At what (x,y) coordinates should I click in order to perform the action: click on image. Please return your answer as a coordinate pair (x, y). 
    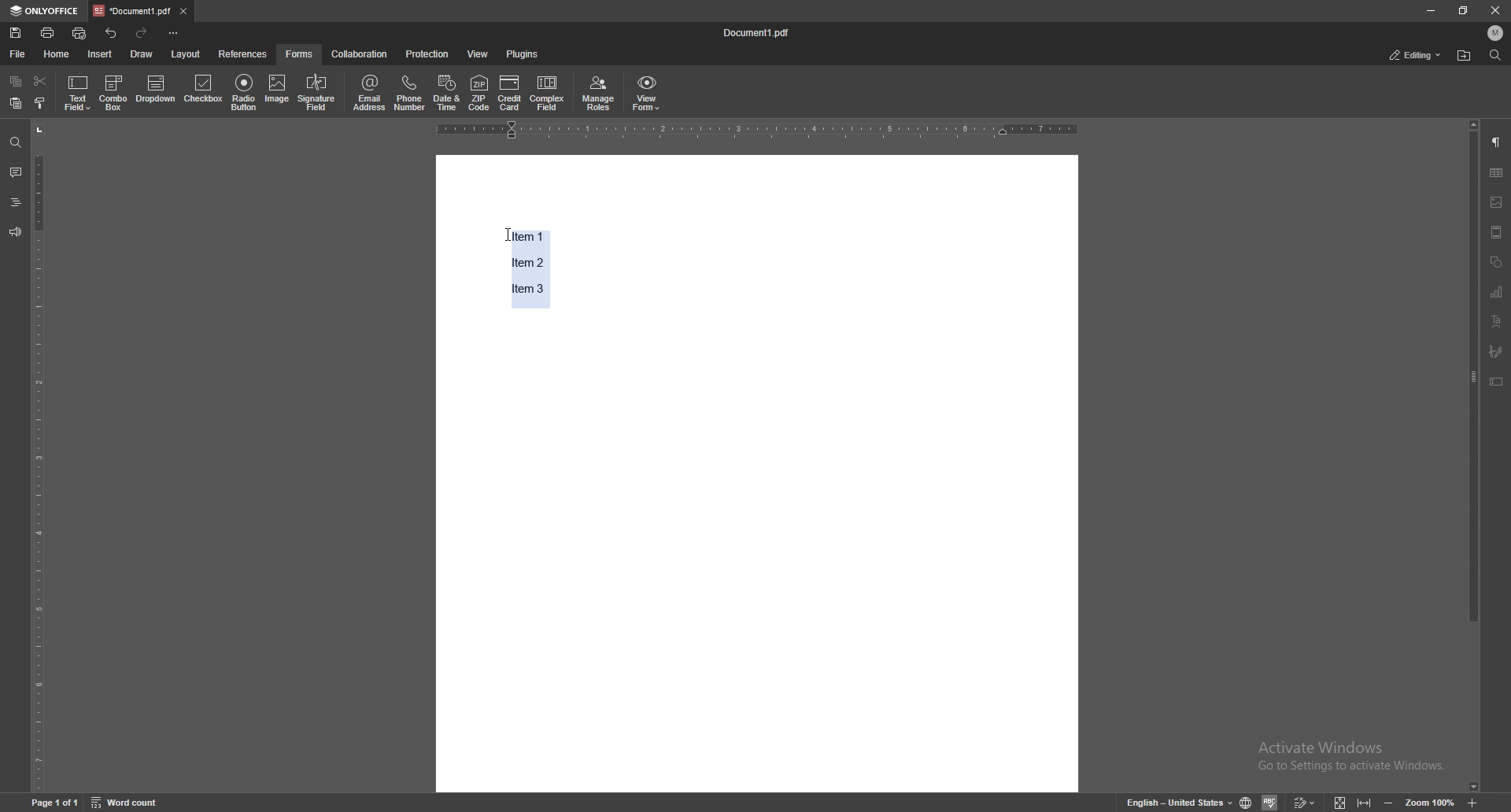
    Looking at the image, I should click on (1498, 202).